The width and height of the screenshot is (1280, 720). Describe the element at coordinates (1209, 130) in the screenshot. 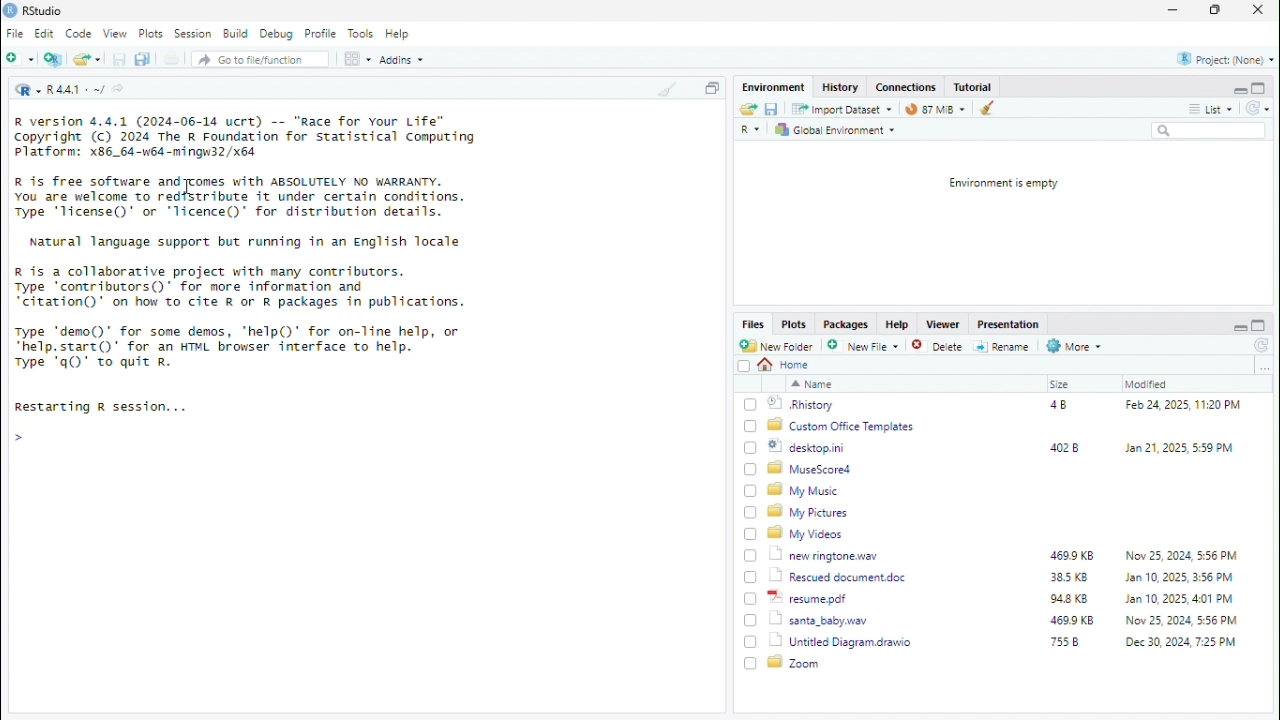

I see `search box` at that location.